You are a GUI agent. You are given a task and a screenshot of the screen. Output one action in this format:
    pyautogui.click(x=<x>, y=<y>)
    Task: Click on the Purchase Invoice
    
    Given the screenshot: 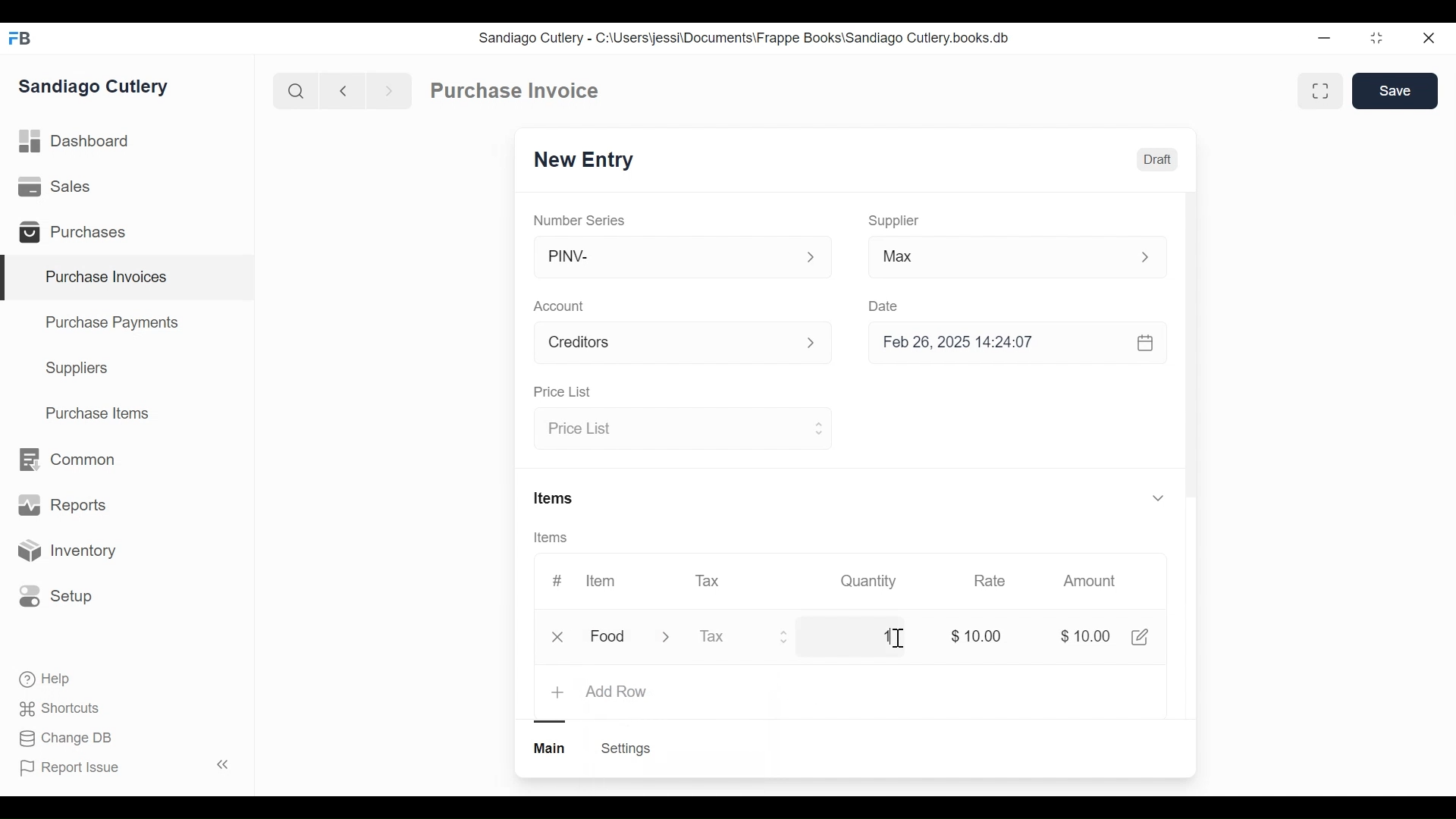 What is the action you would take?
    pyautogui.click(x=516, y=91)
    